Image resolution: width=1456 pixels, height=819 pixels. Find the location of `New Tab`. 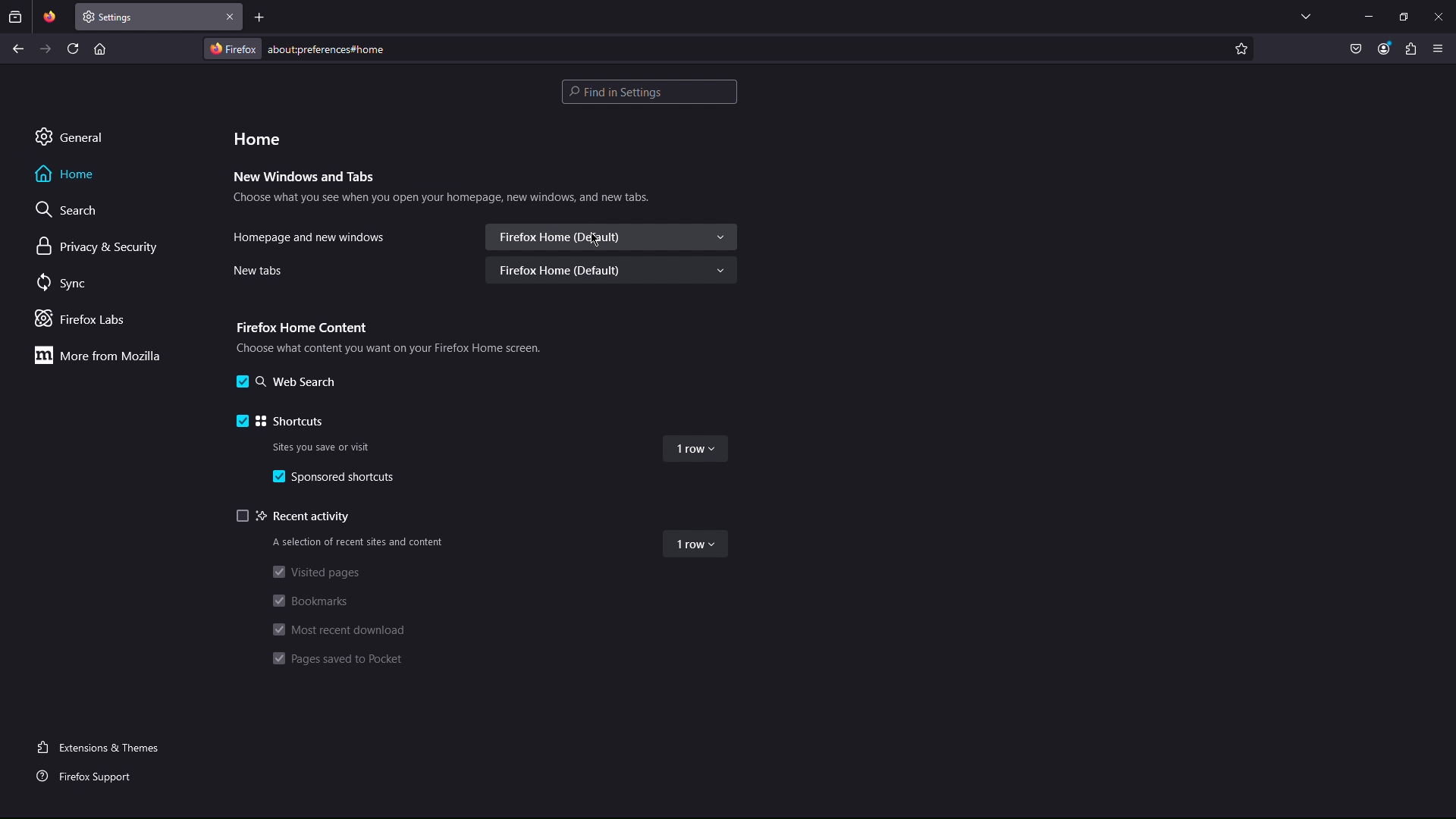

New Tab is located at coordinates (148, 17).